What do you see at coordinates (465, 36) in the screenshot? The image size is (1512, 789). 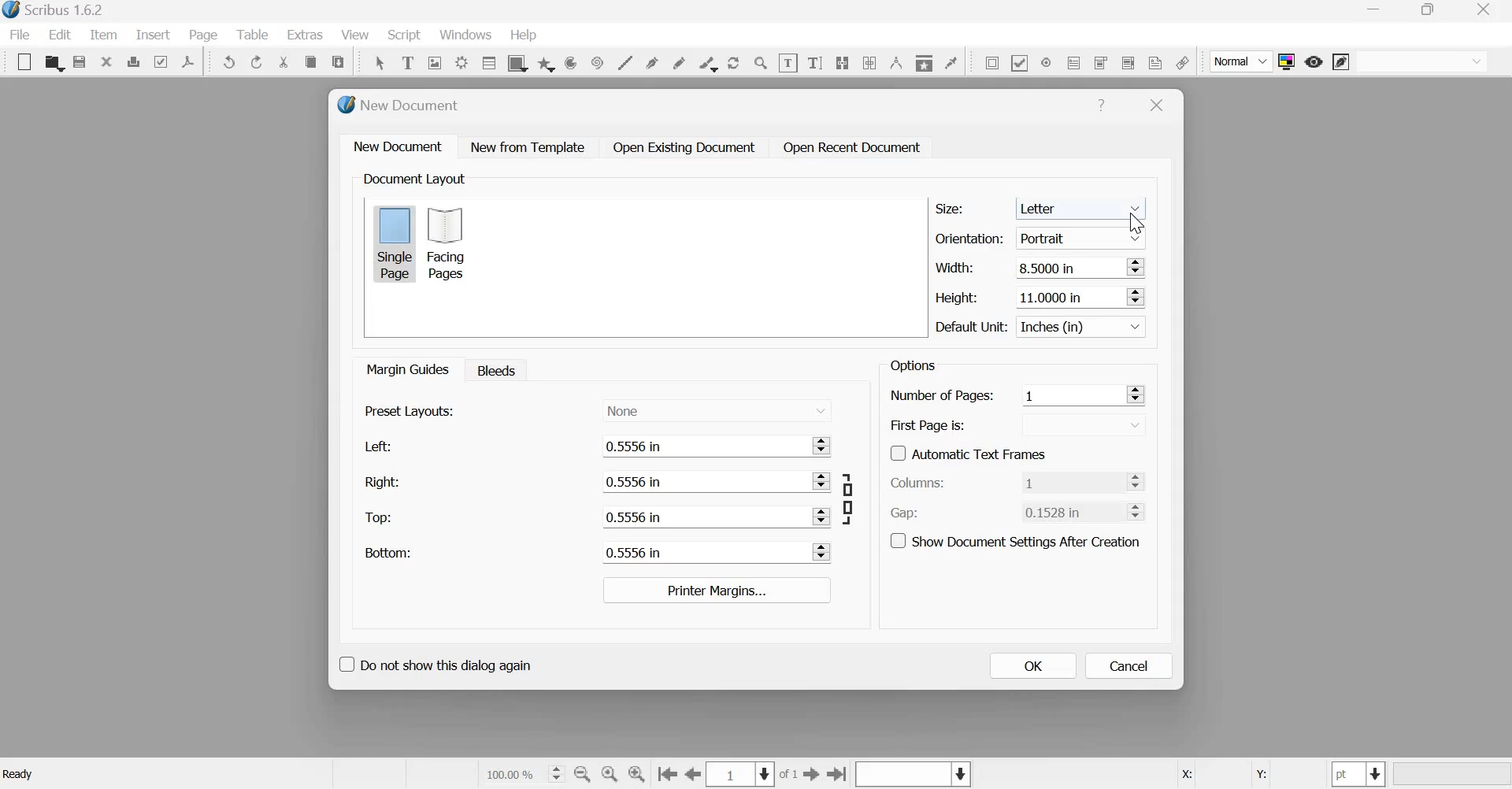 I see `windows` at bounding box center [465, 36].